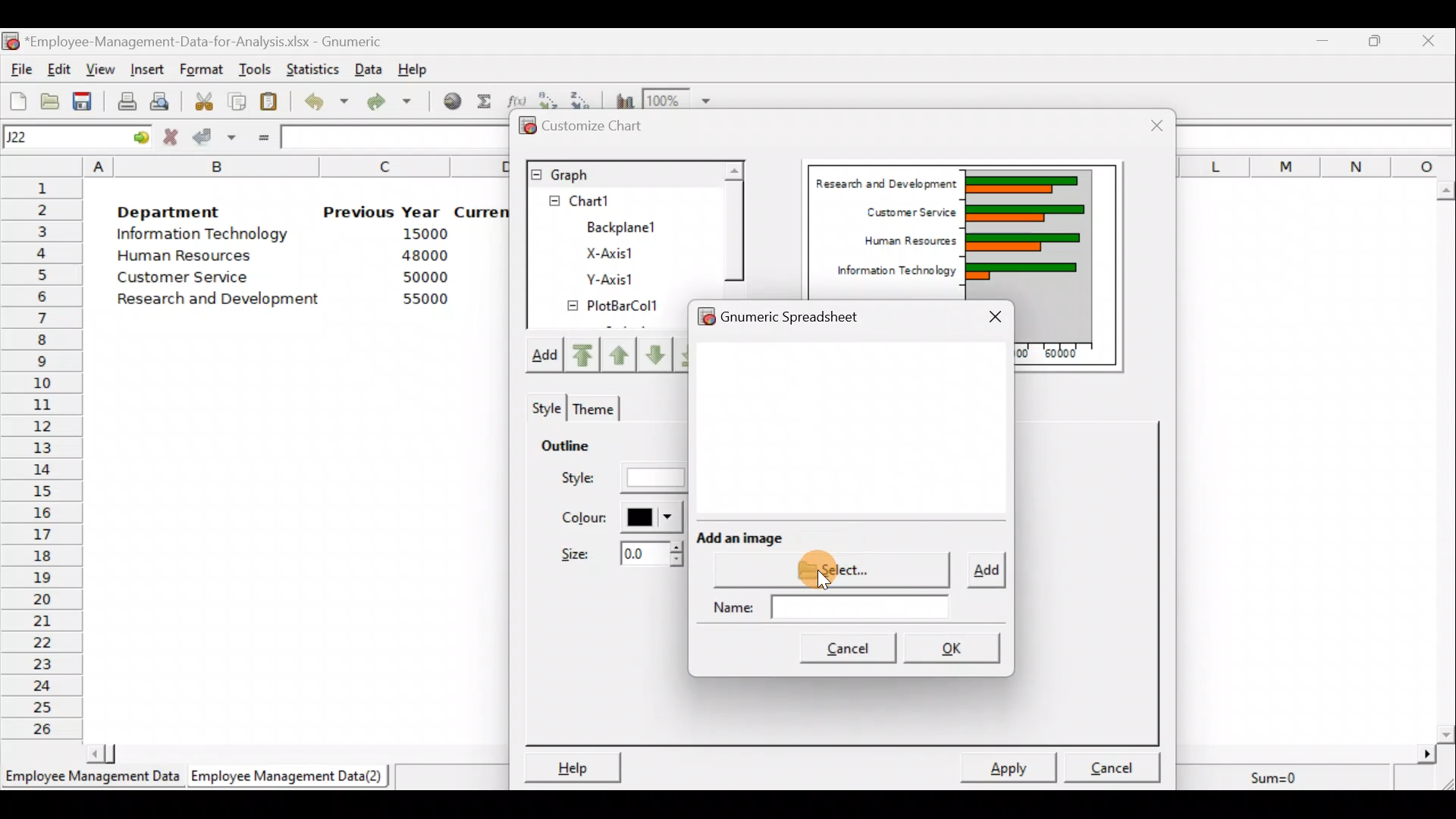 The height and width of the screenshot is (819, 1456). I want to click on Rows, so click(42, 460).